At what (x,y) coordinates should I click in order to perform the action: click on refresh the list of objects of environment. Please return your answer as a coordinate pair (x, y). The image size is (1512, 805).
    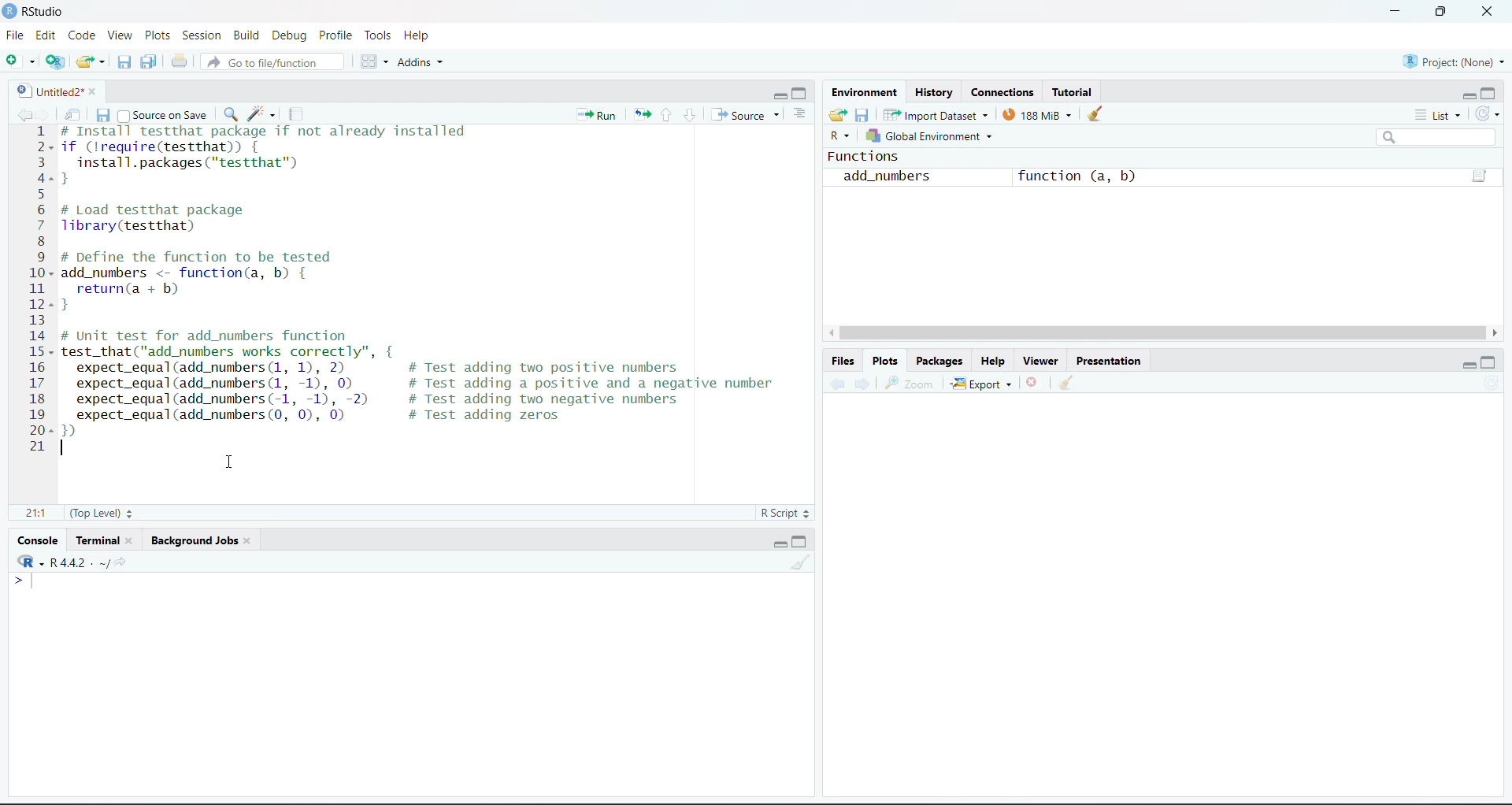
    Looking at the image, I should click on (1488, 114).